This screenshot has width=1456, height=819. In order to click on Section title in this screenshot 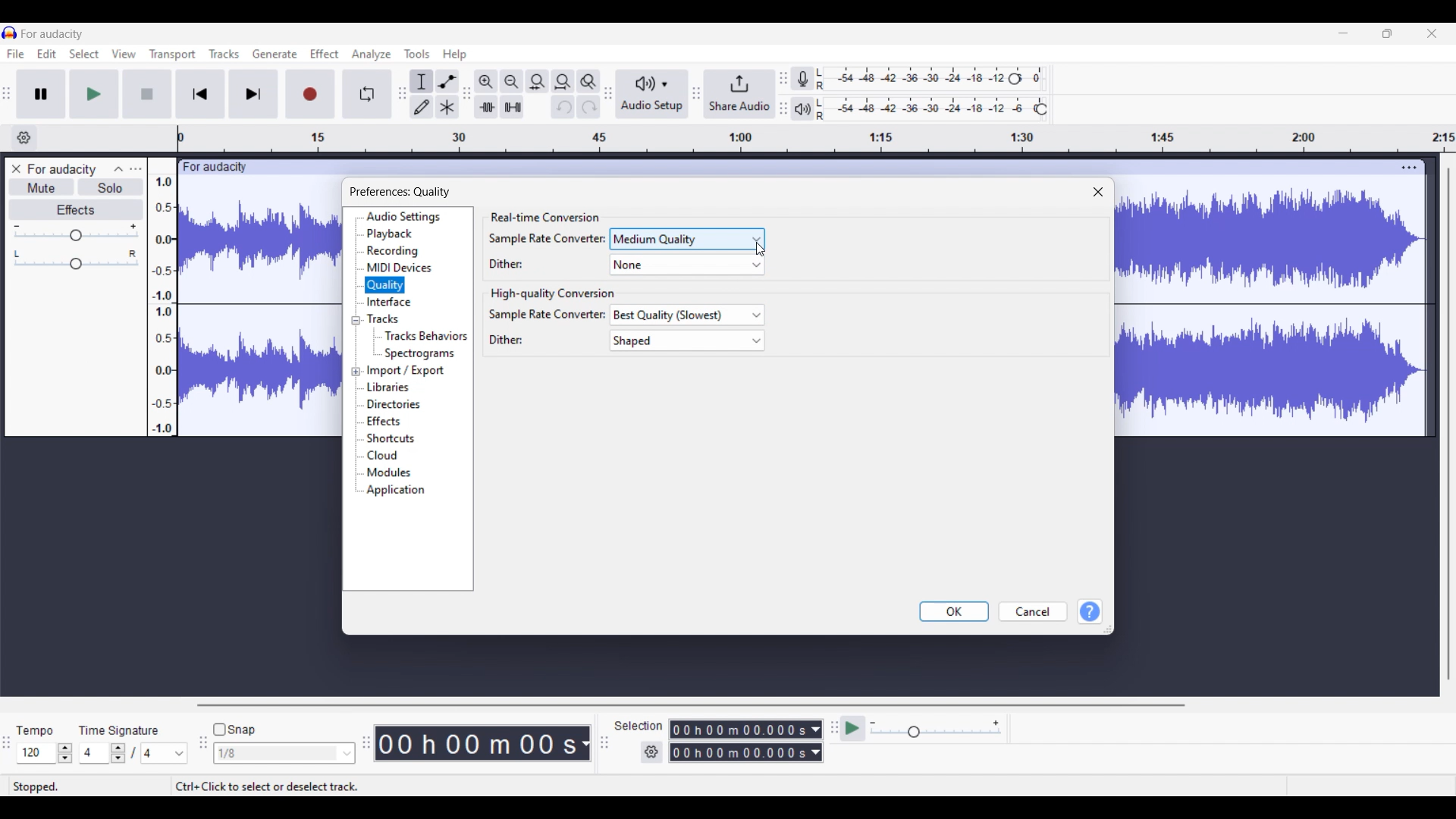, I will do `click(549, 294)`.